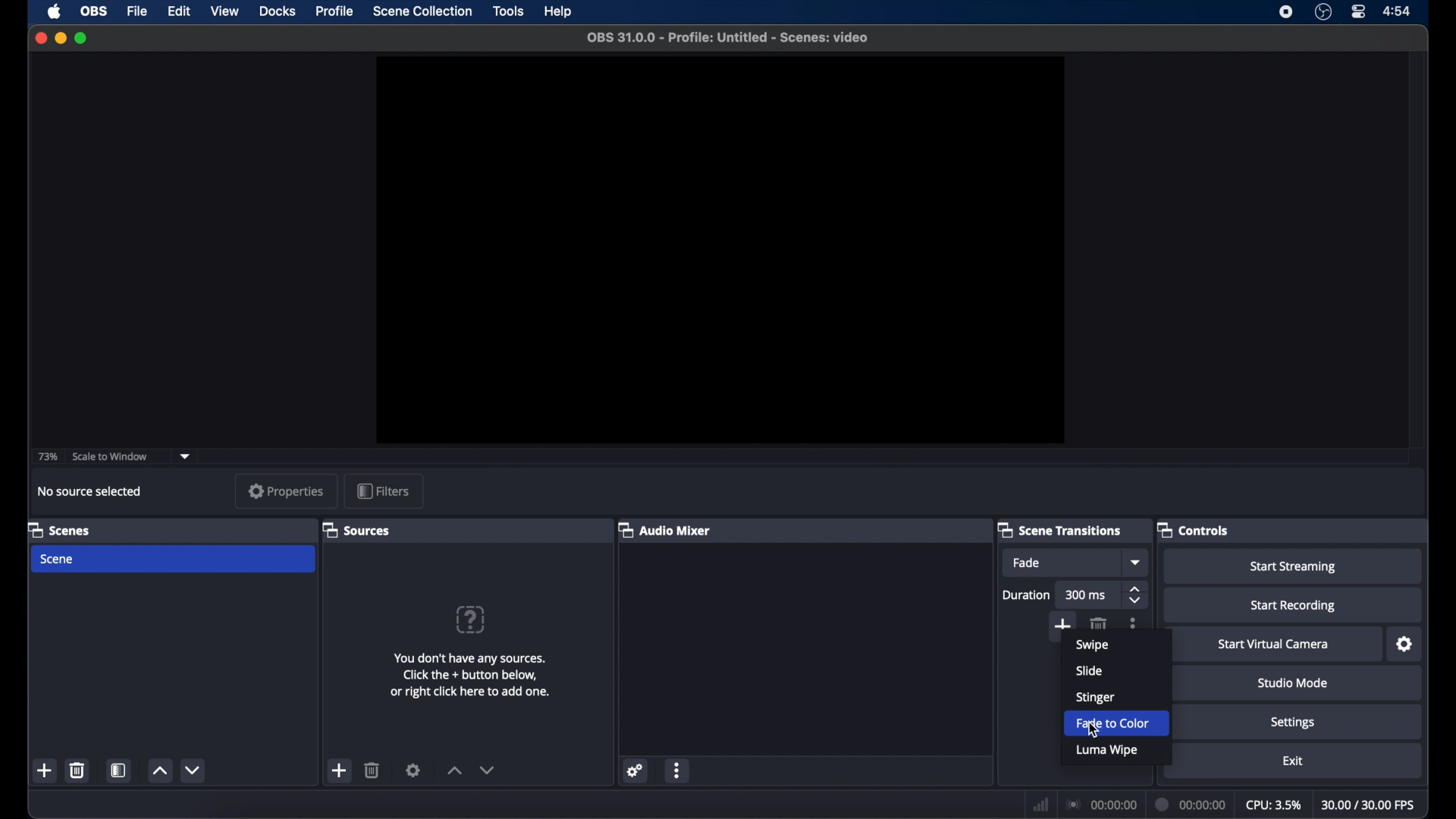 The width and height of the screenshot is (1456, 819). I want to click on scene, so click(58, 560).